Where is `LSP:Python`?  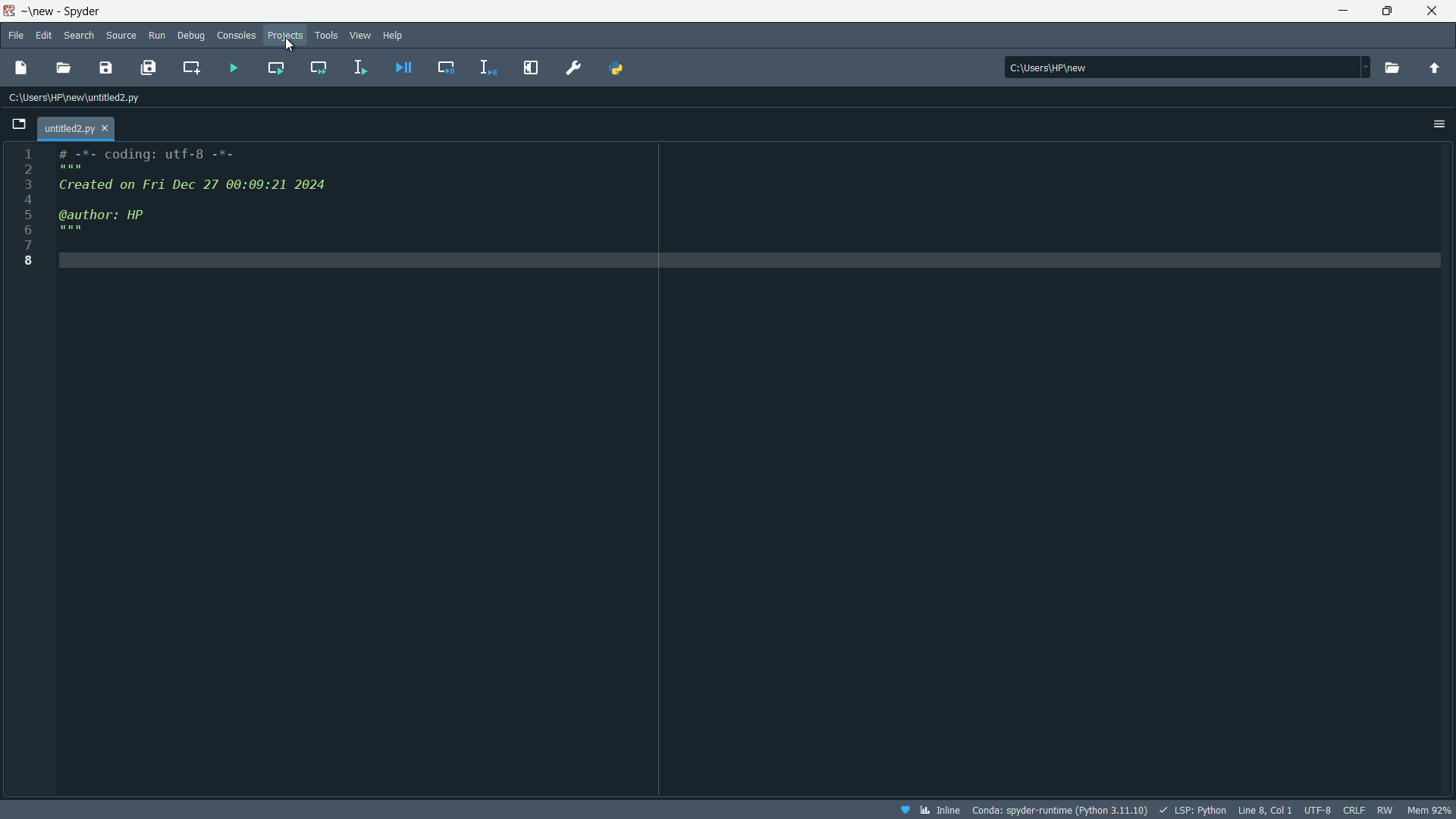 LSP:Python is located at coordinates (1190, 808).